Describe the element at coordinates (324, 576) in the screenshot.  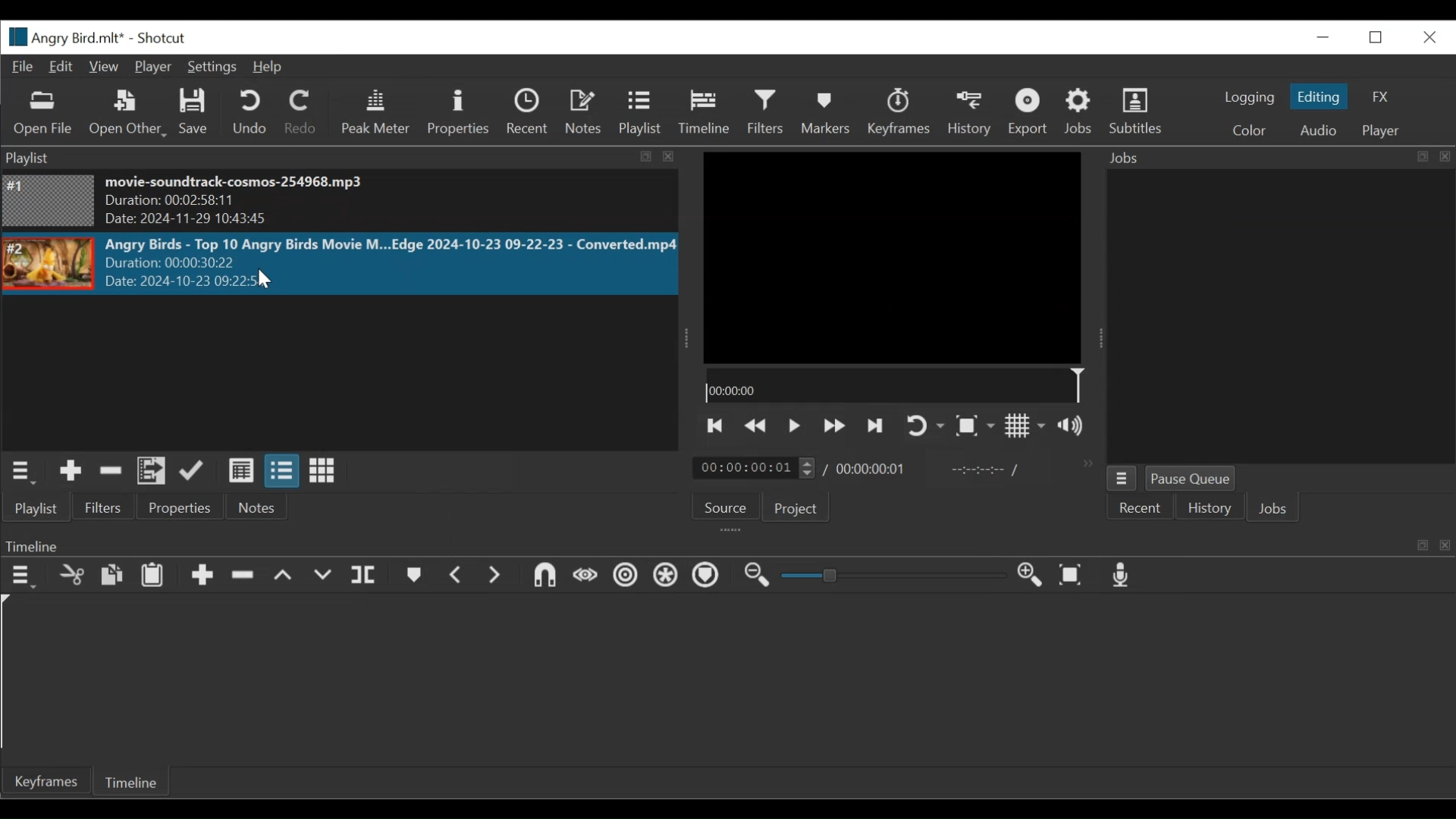
I see `Overwrite` at that location.